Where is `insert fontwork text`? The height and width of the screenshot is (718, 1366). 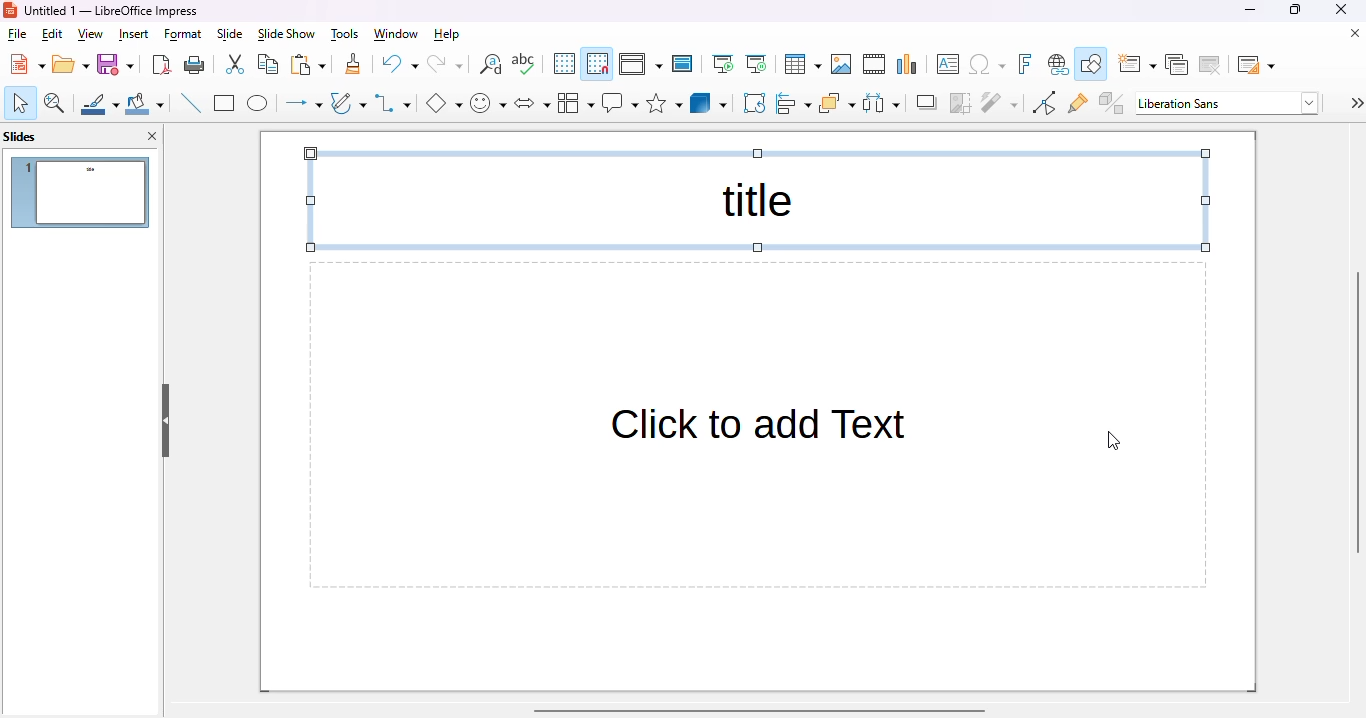 insert fontwork text is located at coordinates (1026, 63).